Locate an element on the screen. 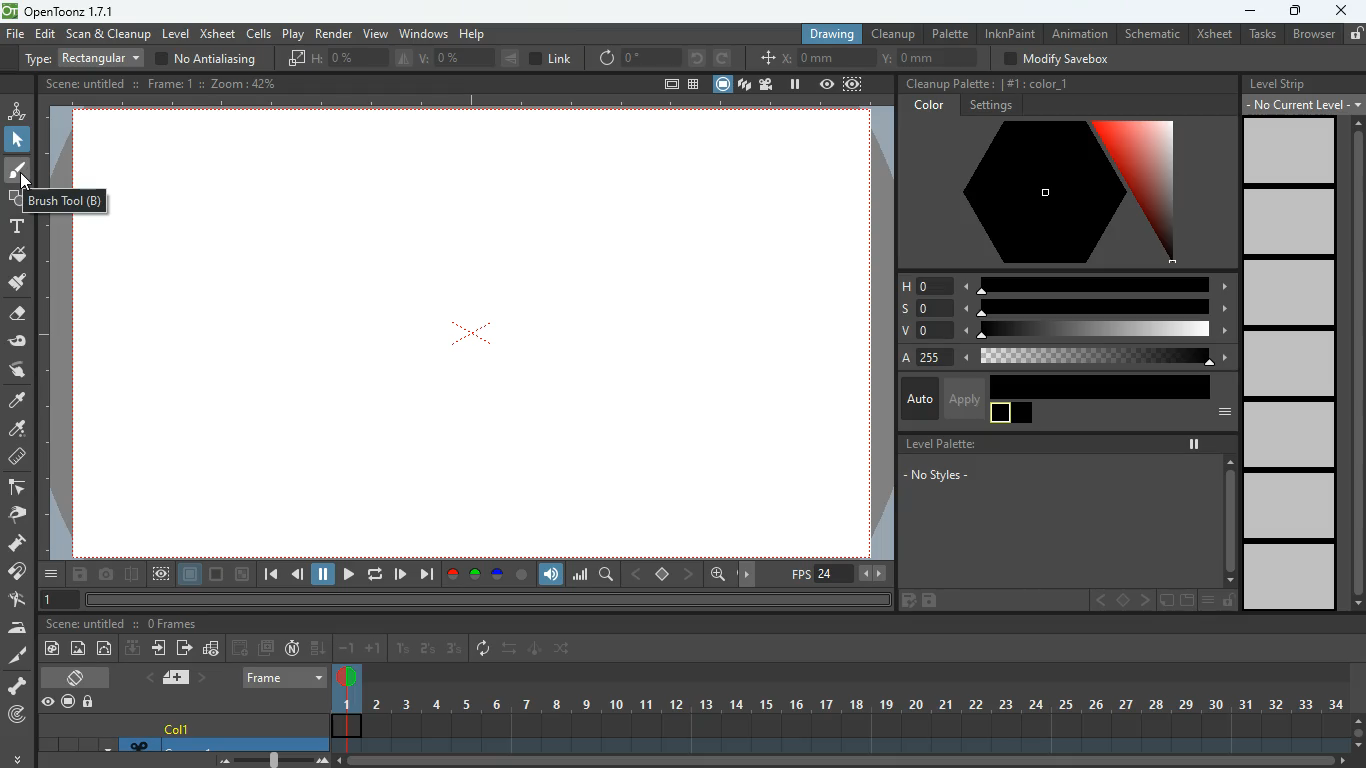 Image resolution: width=1366 pixels, height=768 pixels. menu is located at coordinates (53, 574).